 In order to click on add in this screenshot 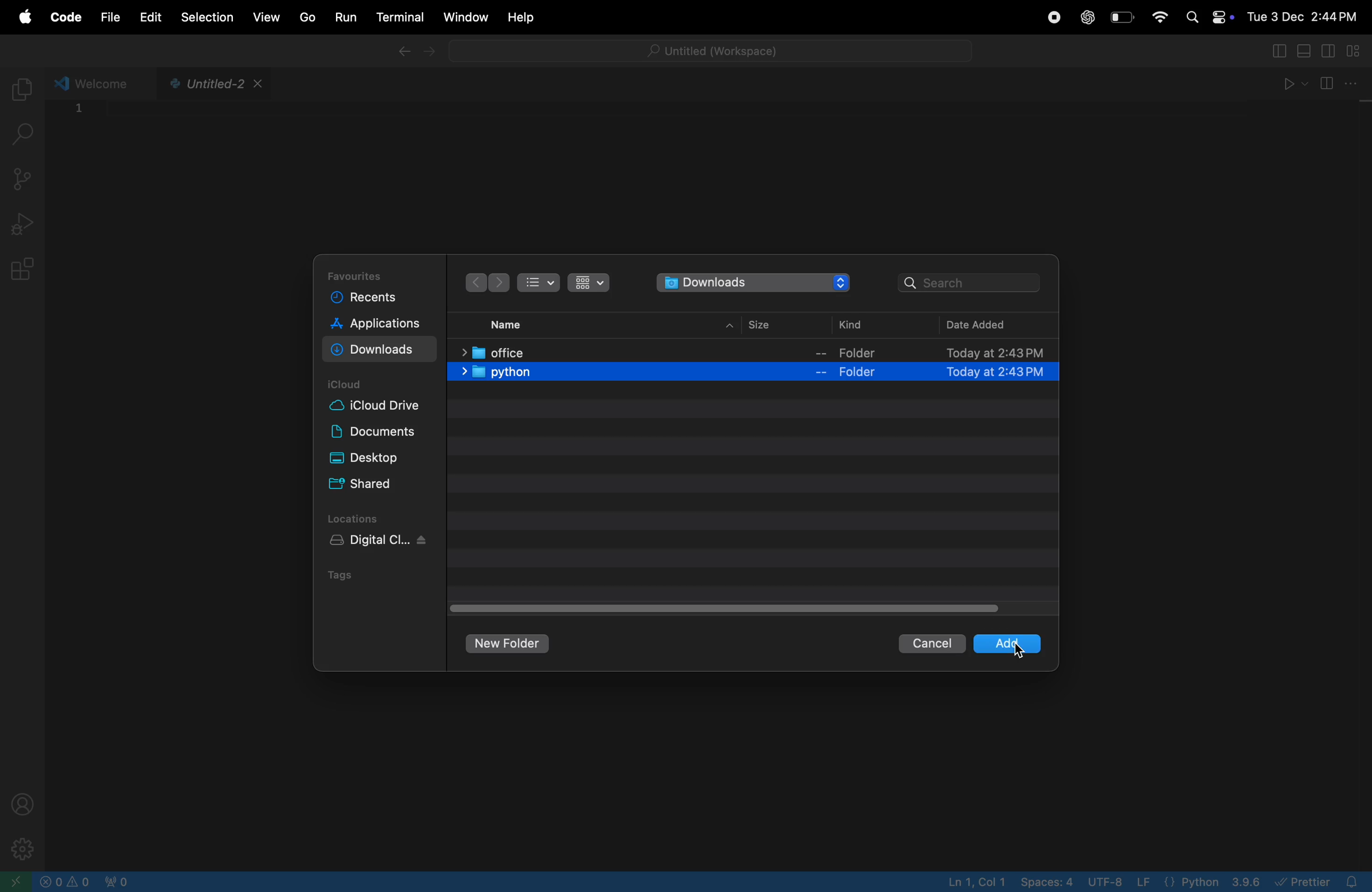, I will do `click(991, 644)`.